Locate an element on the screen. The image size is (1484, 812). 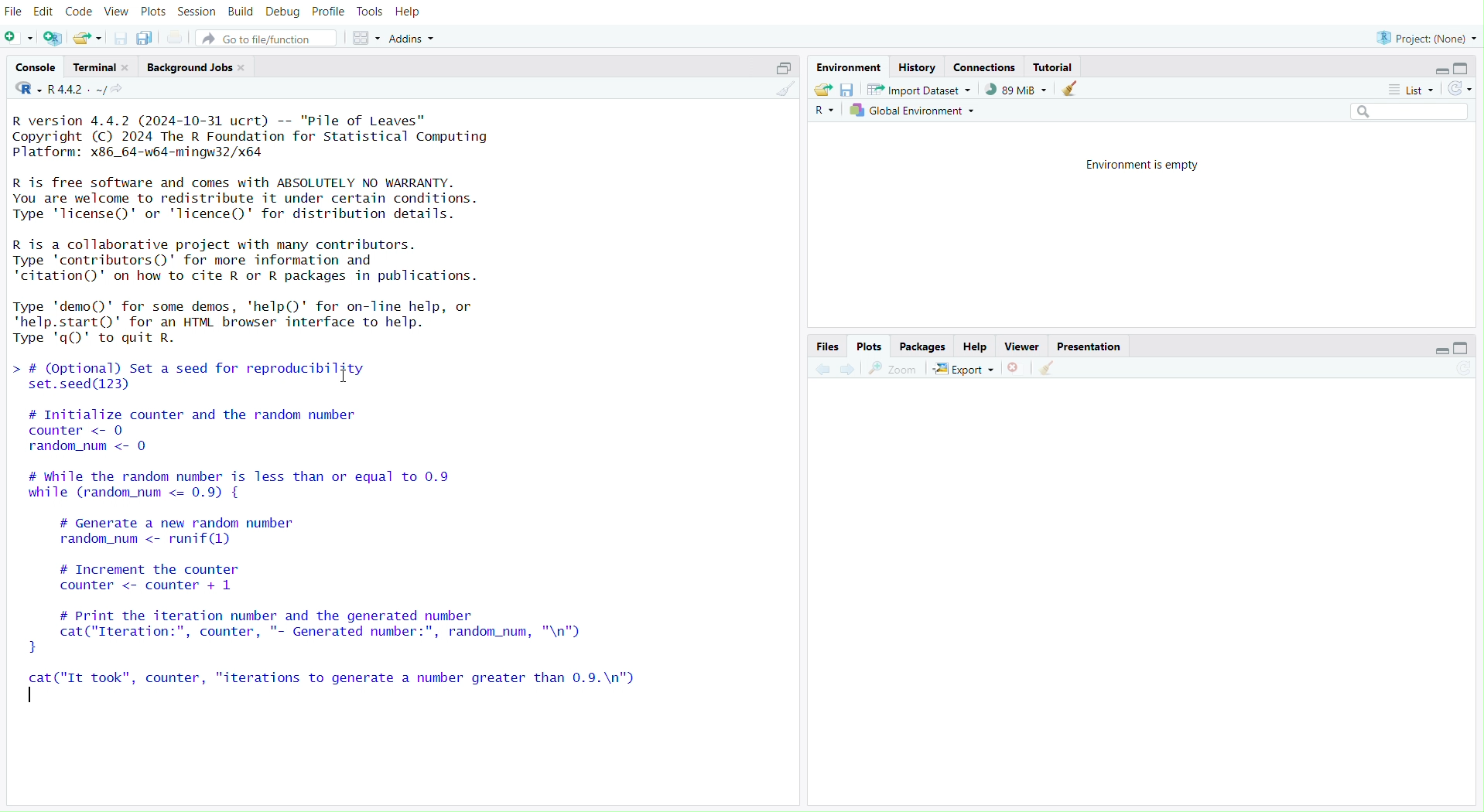
Packages is located at coordinates (922, 346).